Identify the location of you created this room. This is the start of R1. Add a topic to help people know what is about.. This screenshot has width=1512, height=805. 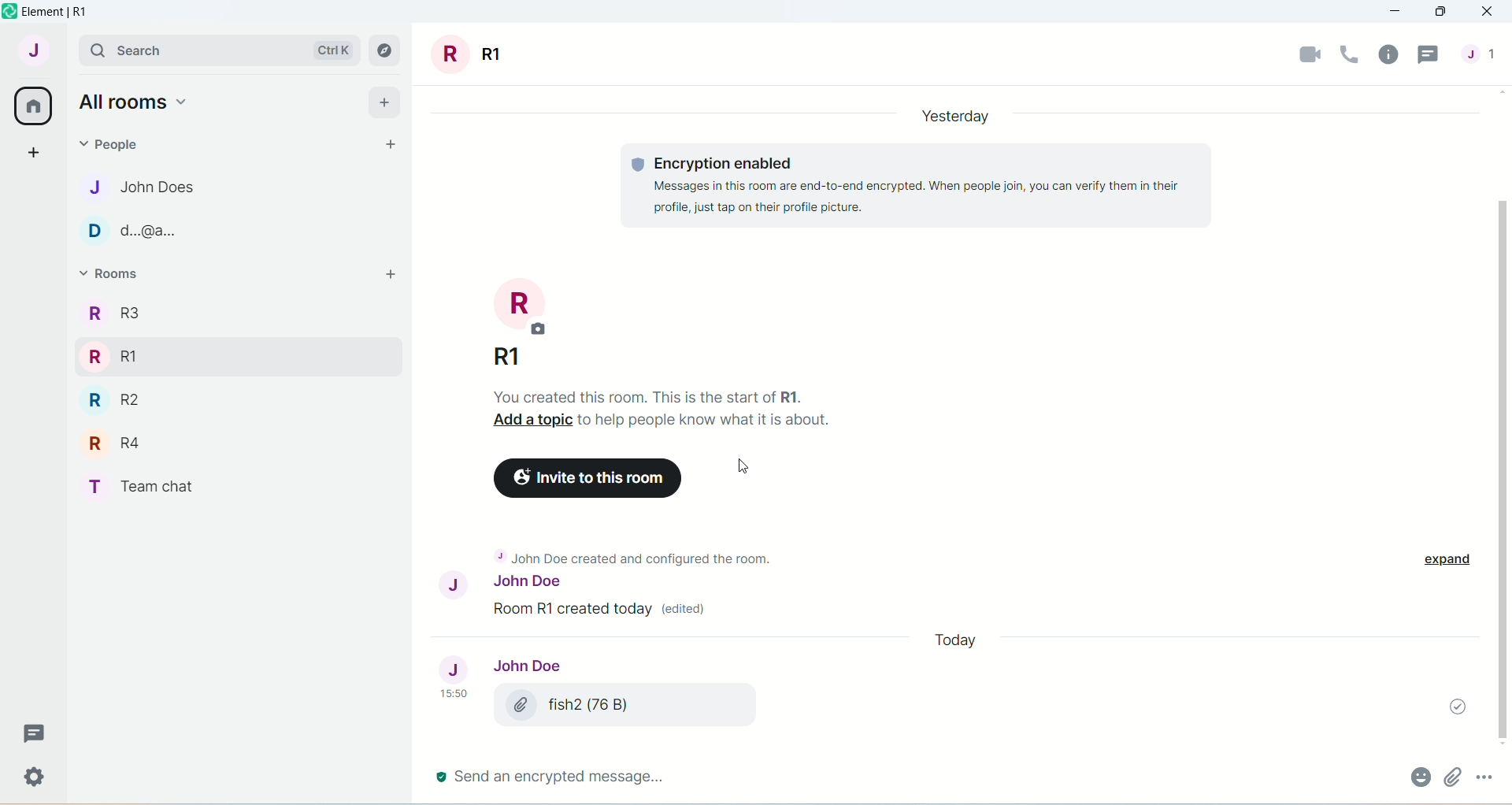
(655, 416).